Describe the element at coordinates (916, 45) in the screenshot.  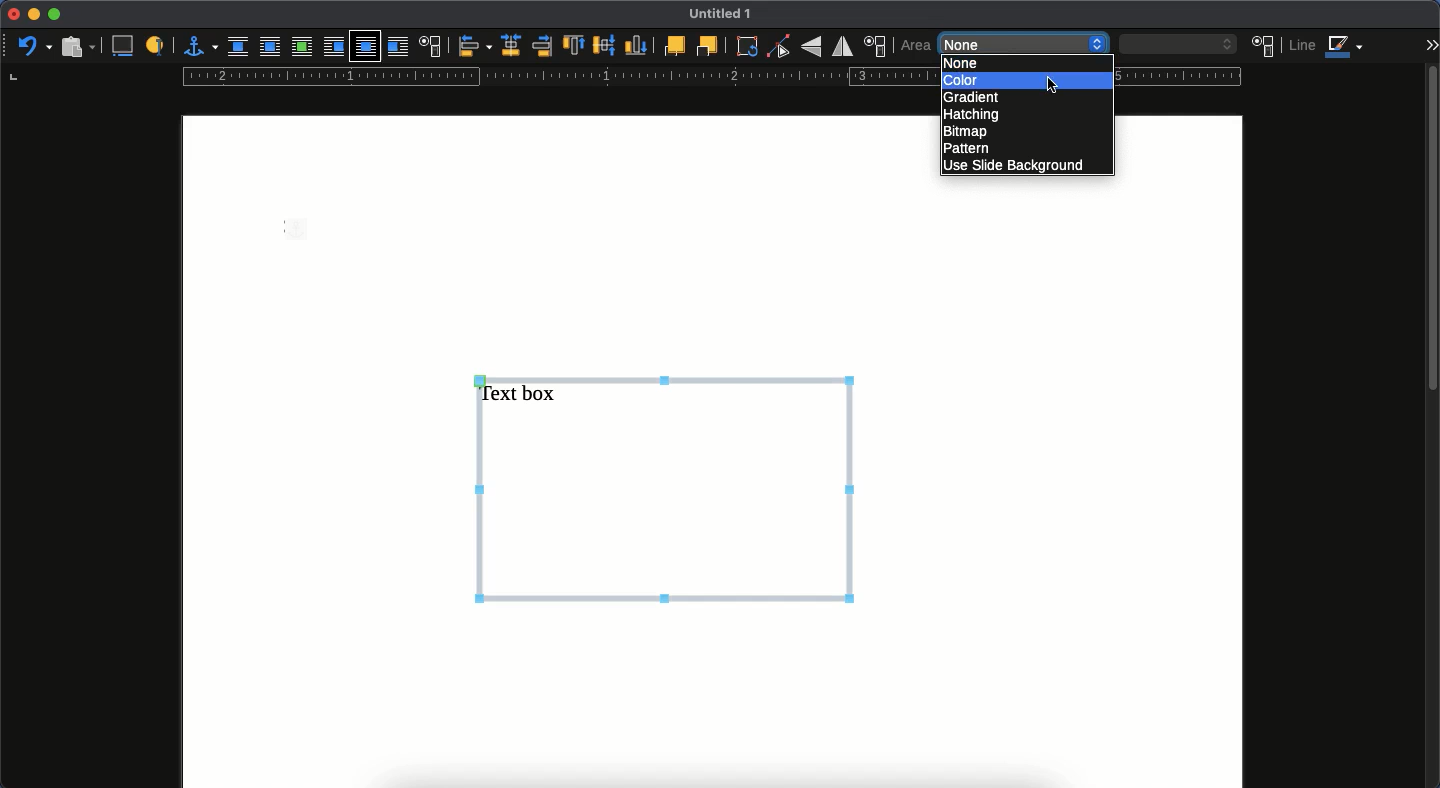
I see `area` at that location.